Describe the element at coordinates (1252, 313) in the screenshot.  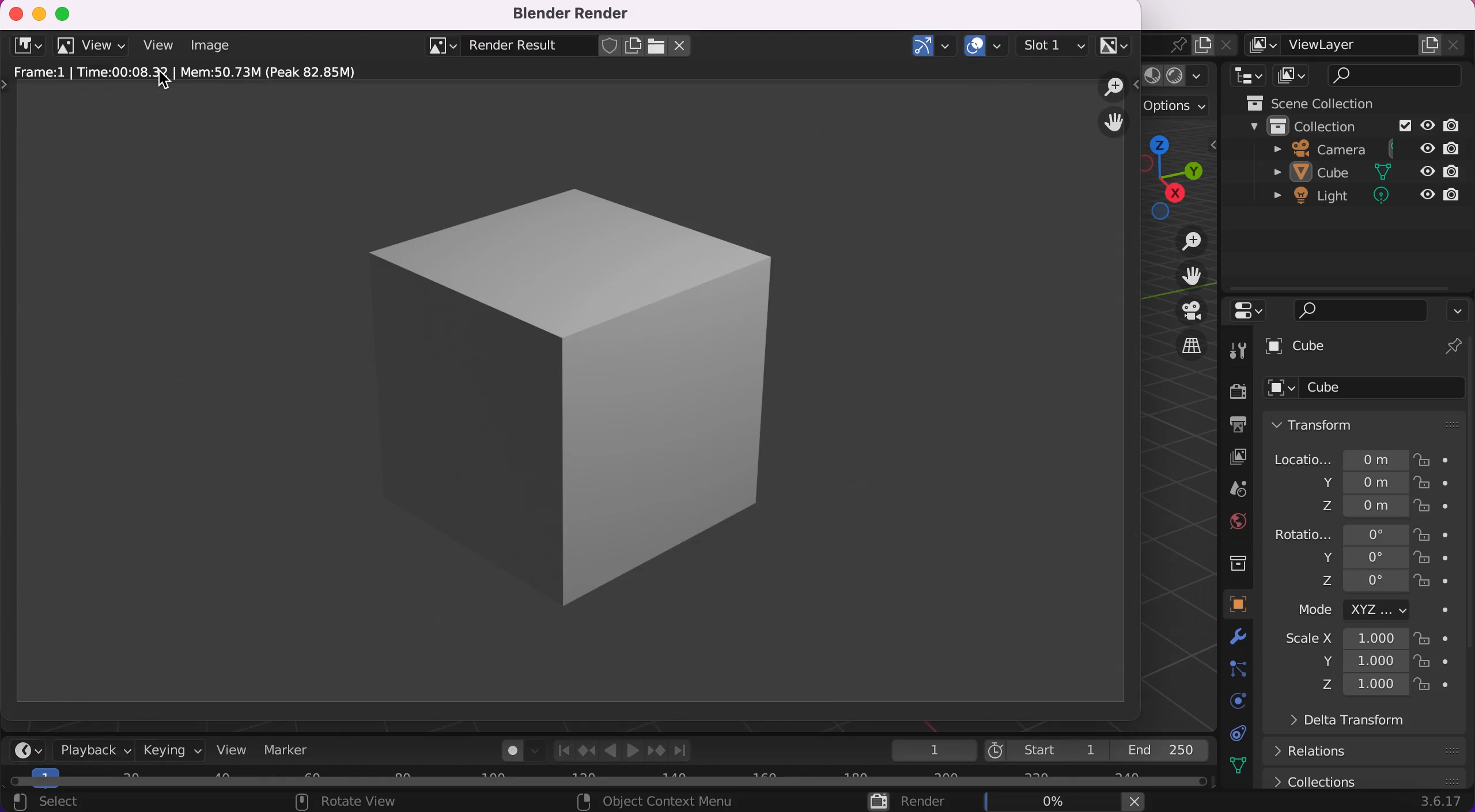
I see `editor type` at that location.